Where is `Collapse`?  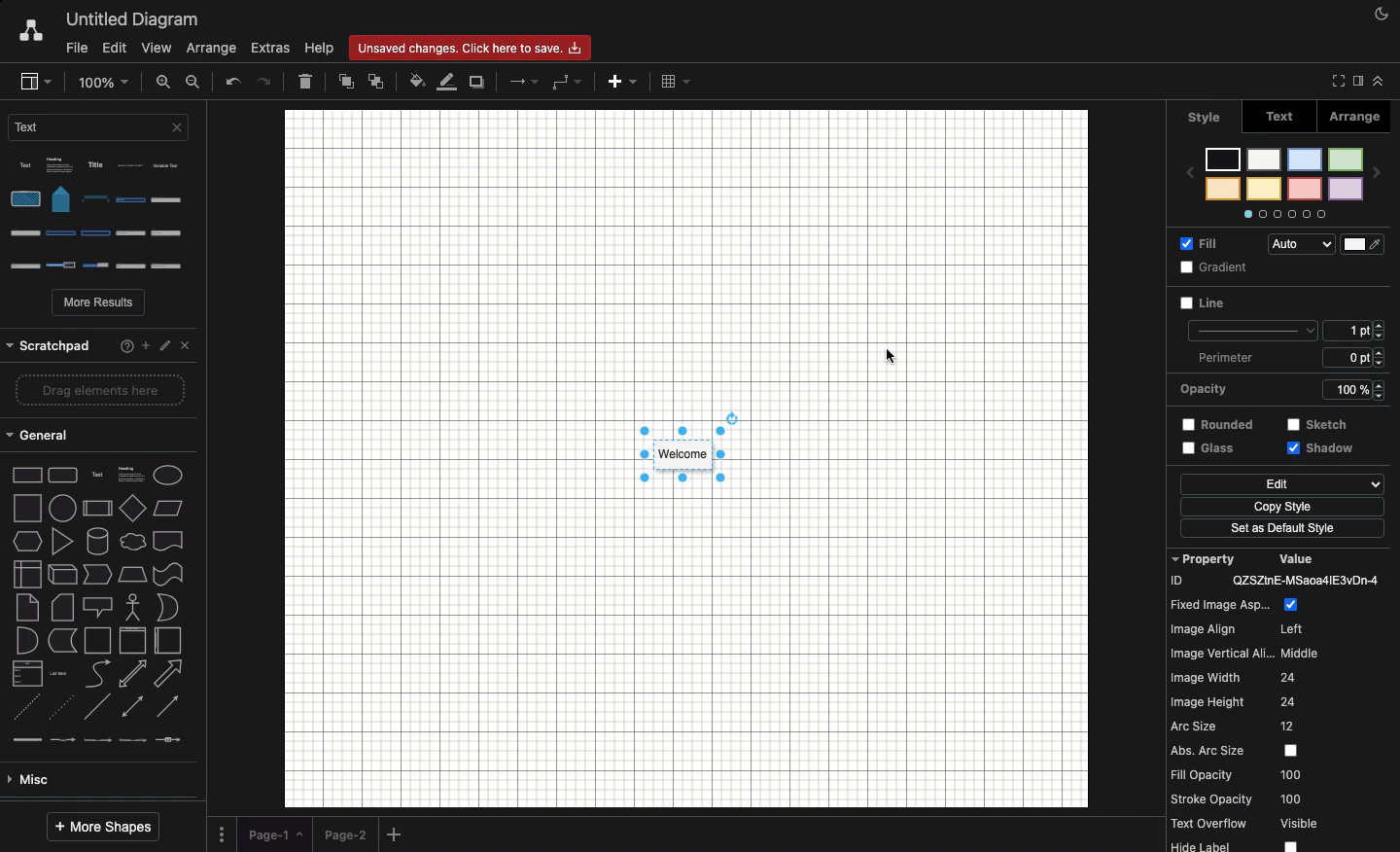 Collapse is located at coordinates (1379, 81).